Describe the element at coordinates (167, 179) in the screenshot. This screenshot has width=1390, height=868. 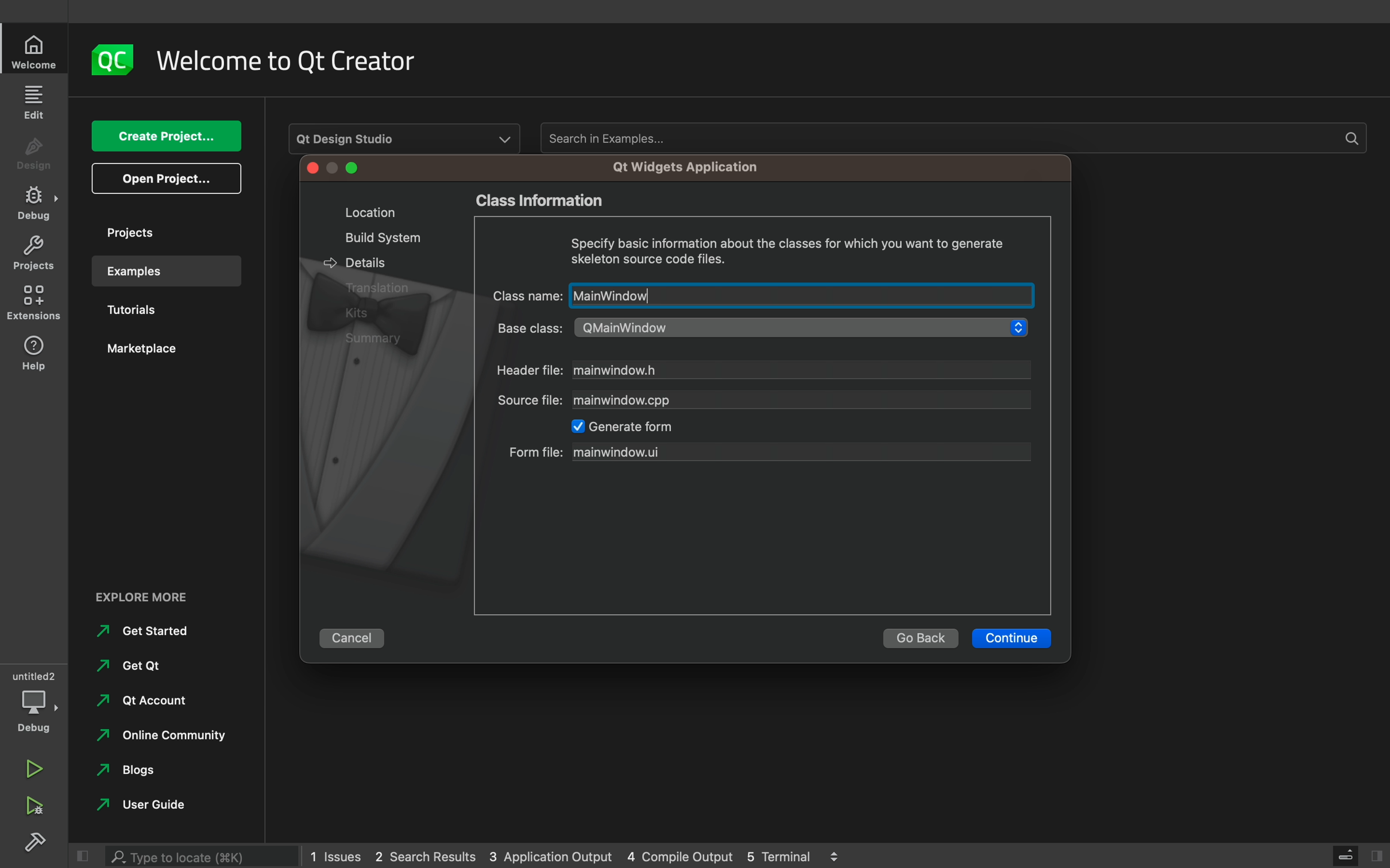
I see `open` at that location.